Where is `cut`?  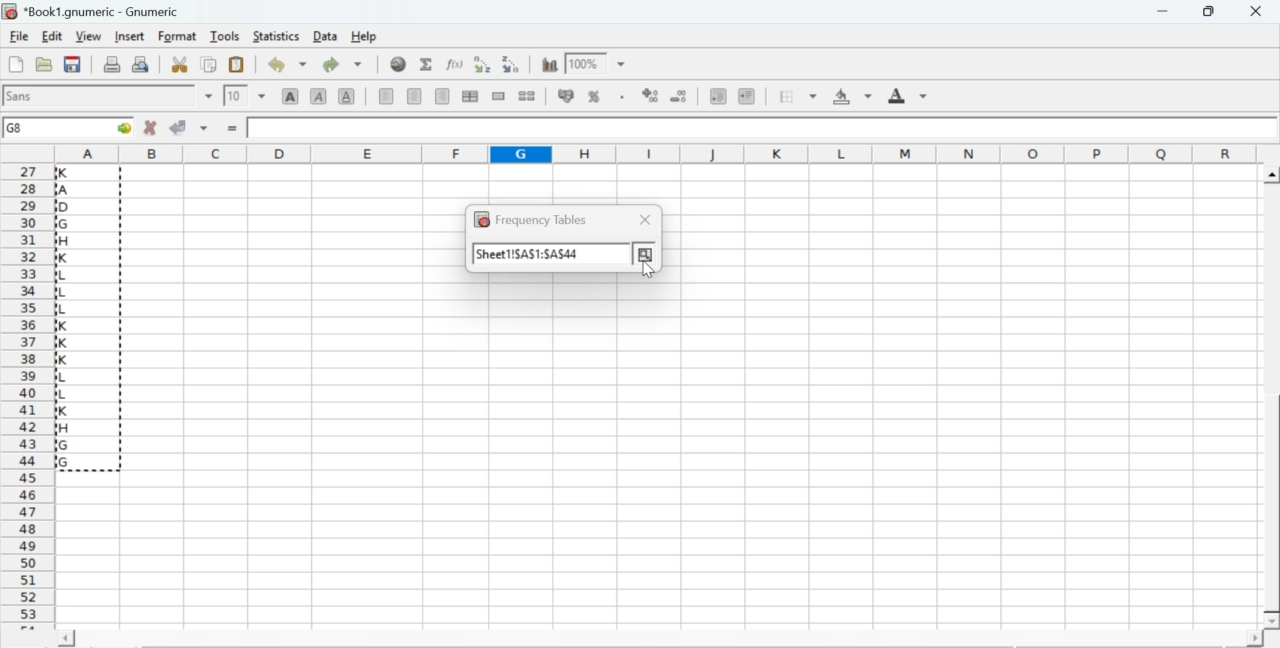
cut is located at coordinates (179, 64).